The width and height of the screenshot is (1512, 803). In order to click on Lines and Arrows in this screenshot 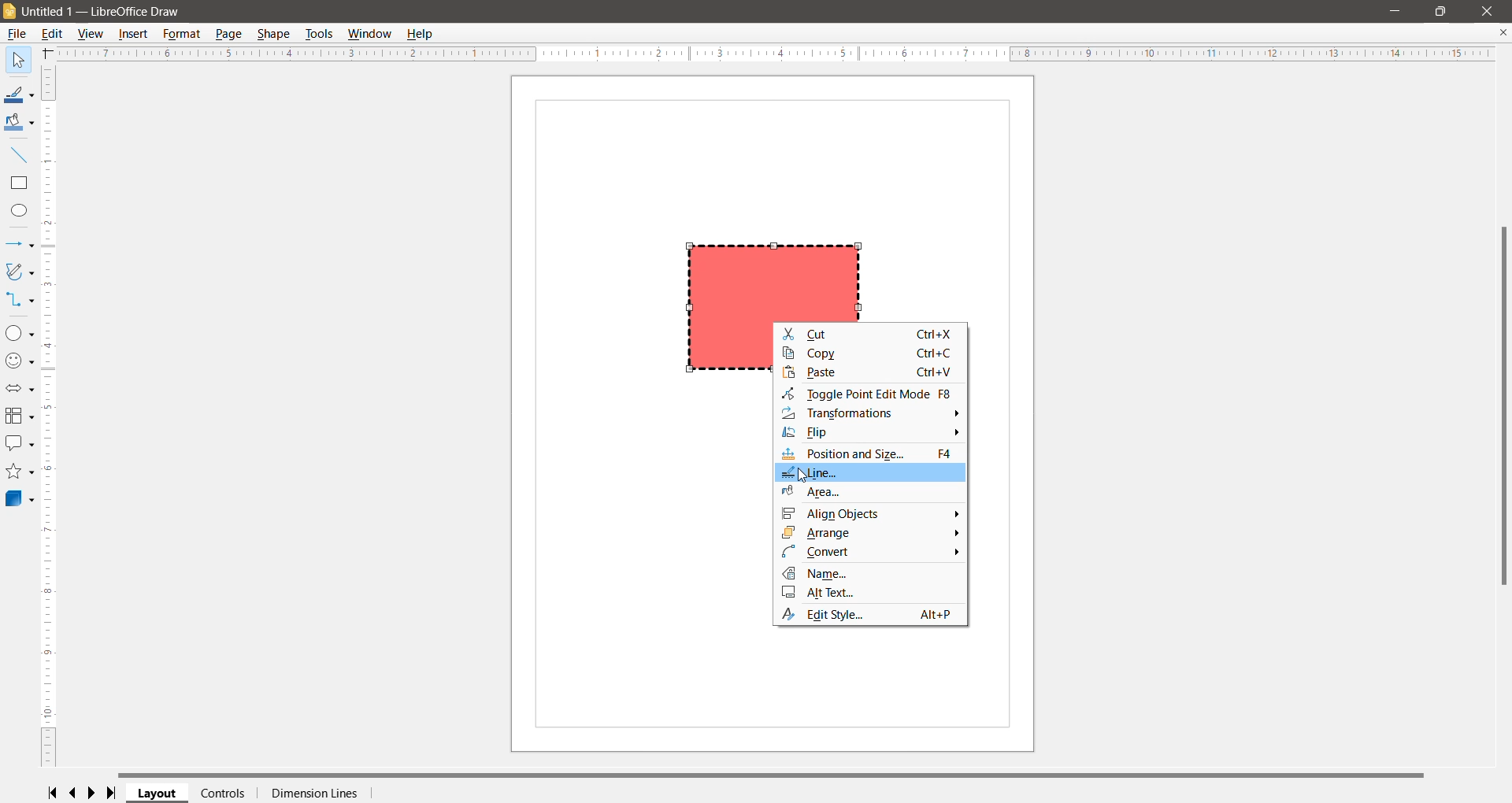, I will do `click(20, 245)`.